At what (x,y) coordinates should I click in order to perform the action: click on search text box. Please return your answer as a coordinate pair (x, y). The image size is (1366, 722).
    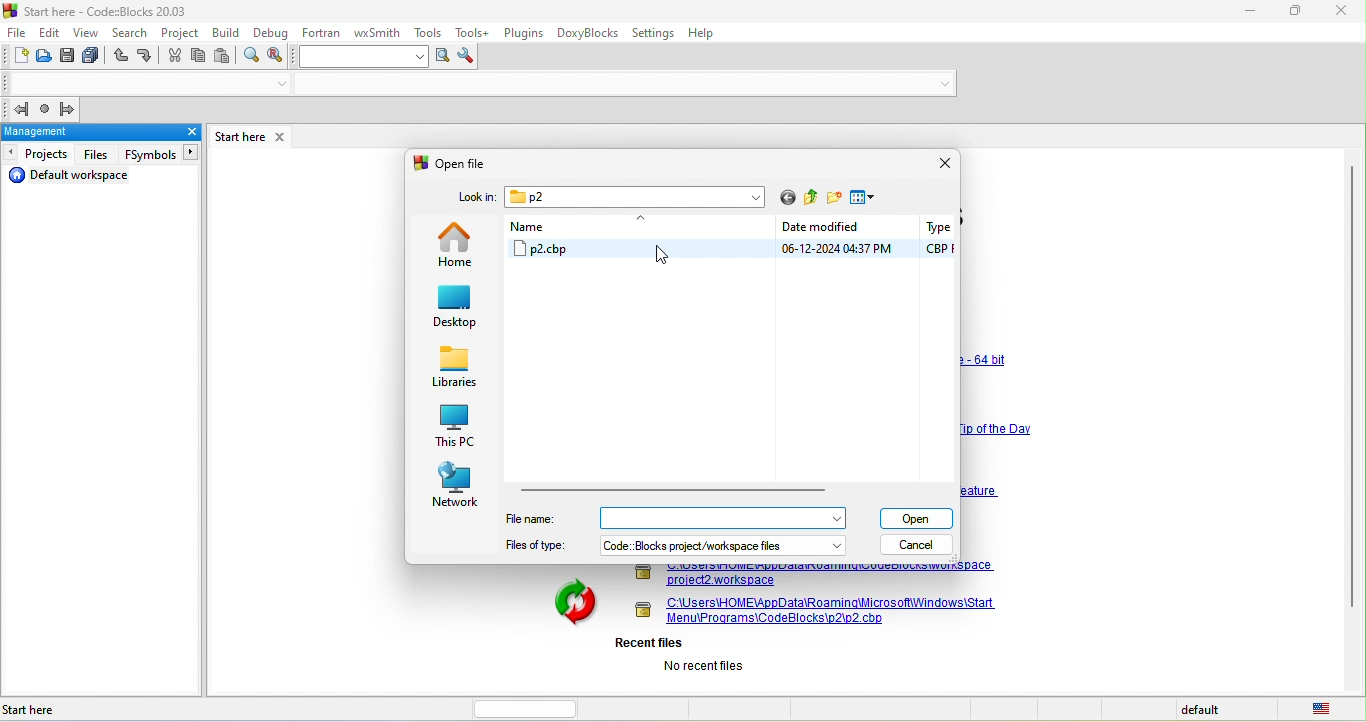
    Looking at the image, I should click on (365, 57).